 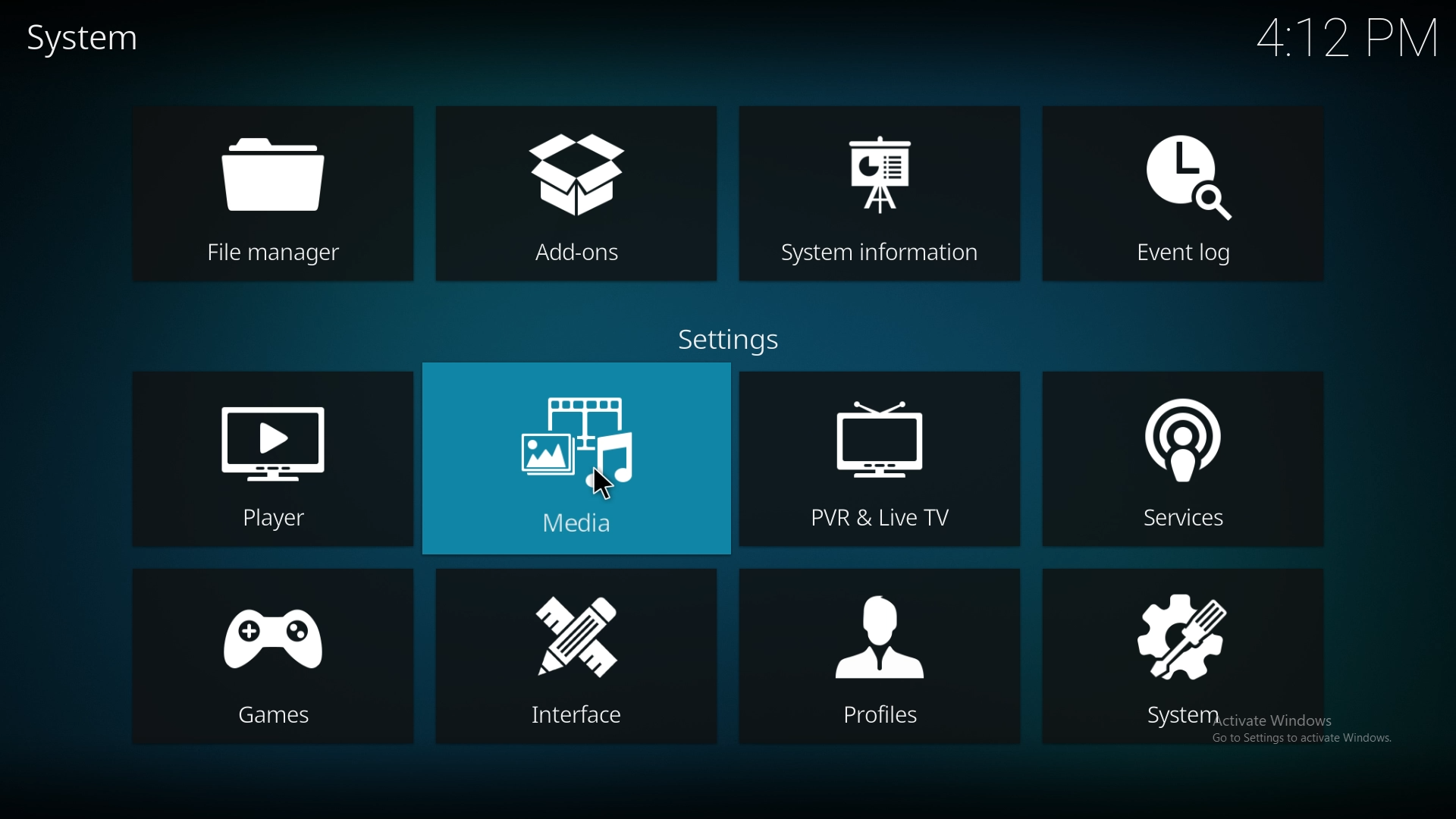 What do you see at coordinates (1183, 460) in the screenshot?
I see `services` at bounding box center [1183, 460].